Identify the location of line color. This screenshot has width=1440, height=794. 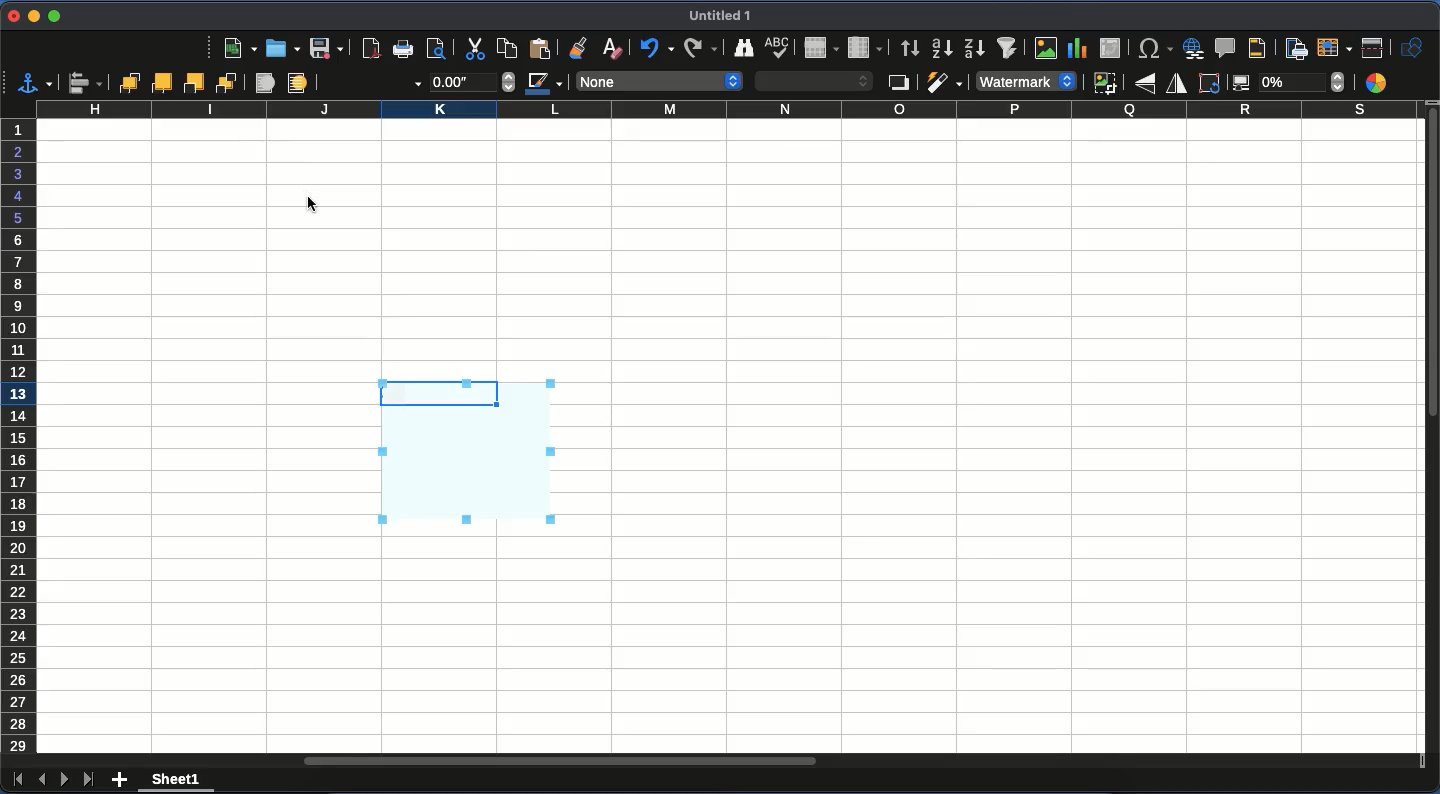
(544, 86).